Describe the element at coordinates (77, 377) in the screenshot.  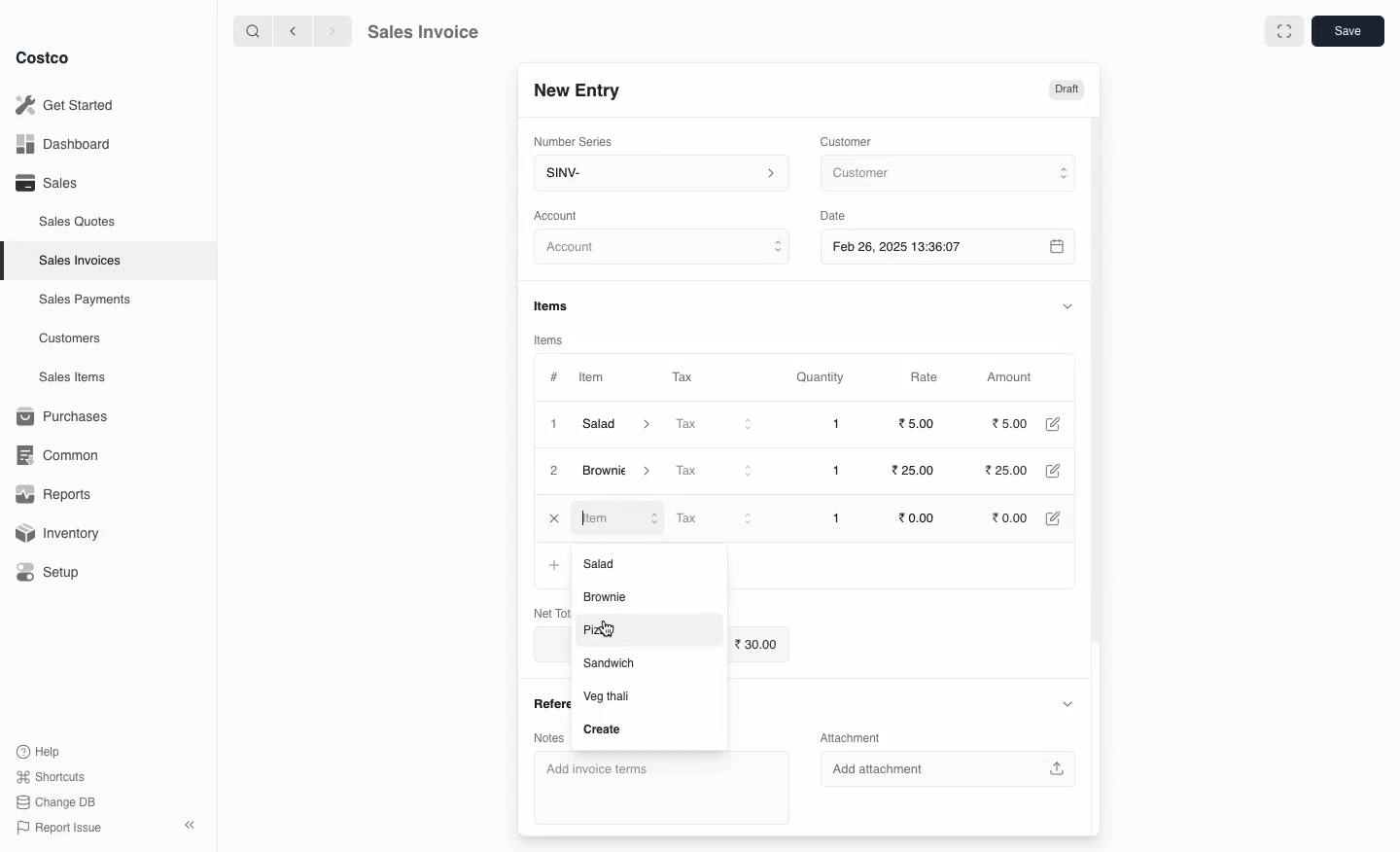
I see `Sales Items` at that location.